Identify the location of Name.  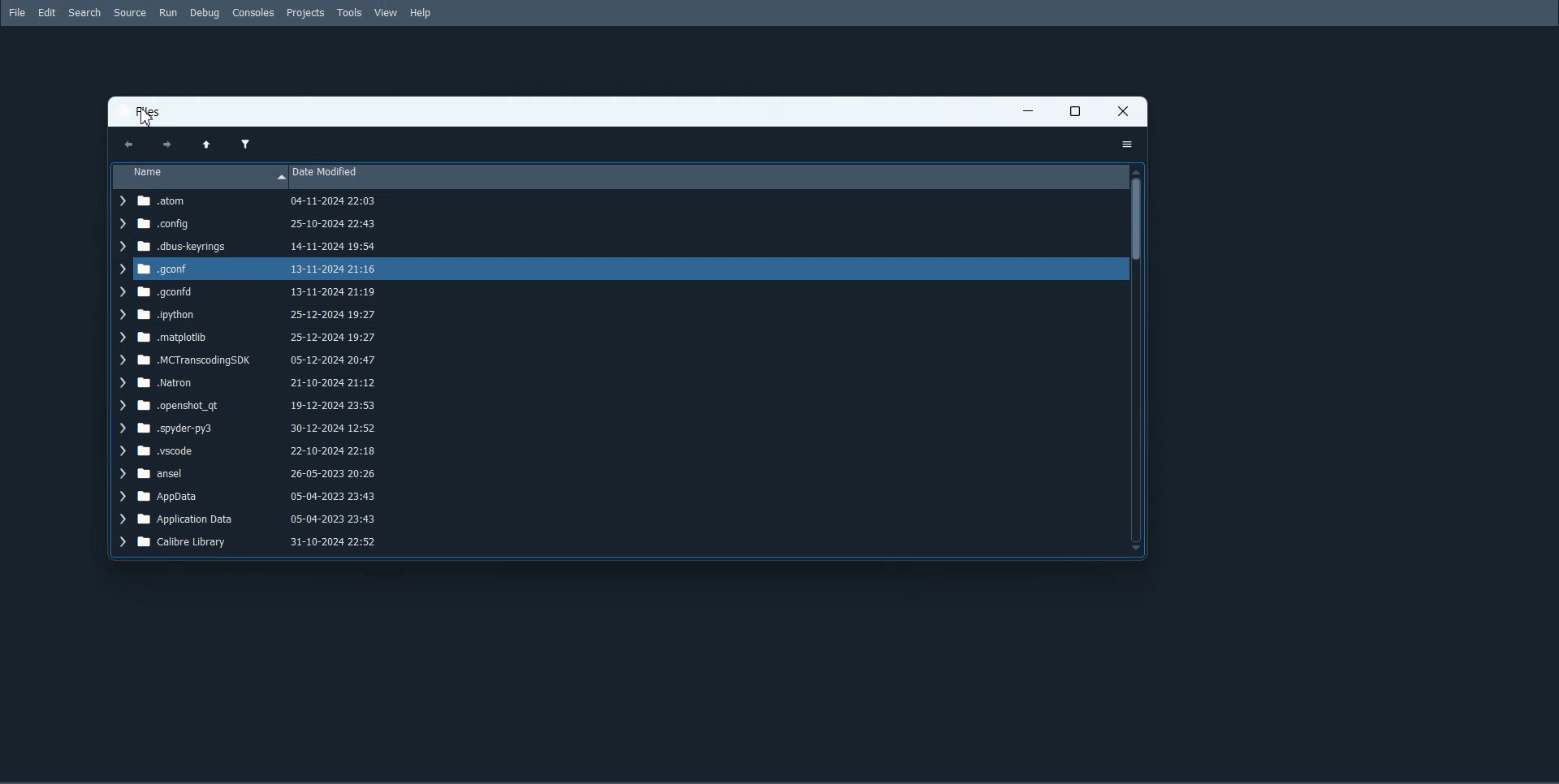
(200, 174).